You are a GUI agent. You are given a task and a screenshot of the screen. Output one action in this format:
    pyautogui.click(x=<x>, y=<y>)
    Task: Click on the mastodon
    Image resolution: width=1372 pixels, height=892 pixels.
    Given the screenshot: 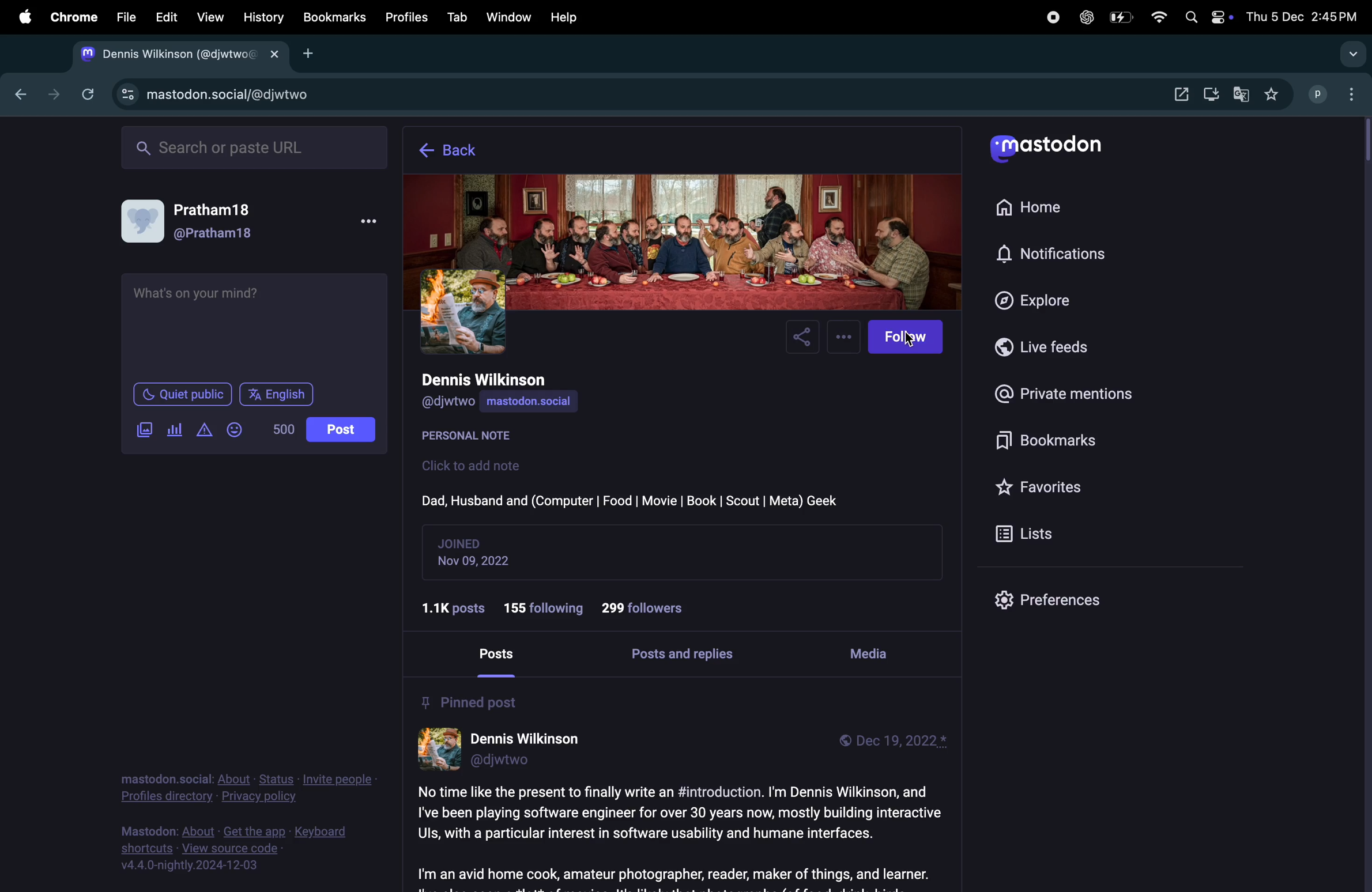 What is the action you would take?
    pyautogui.click(x=1046, y=149)
    